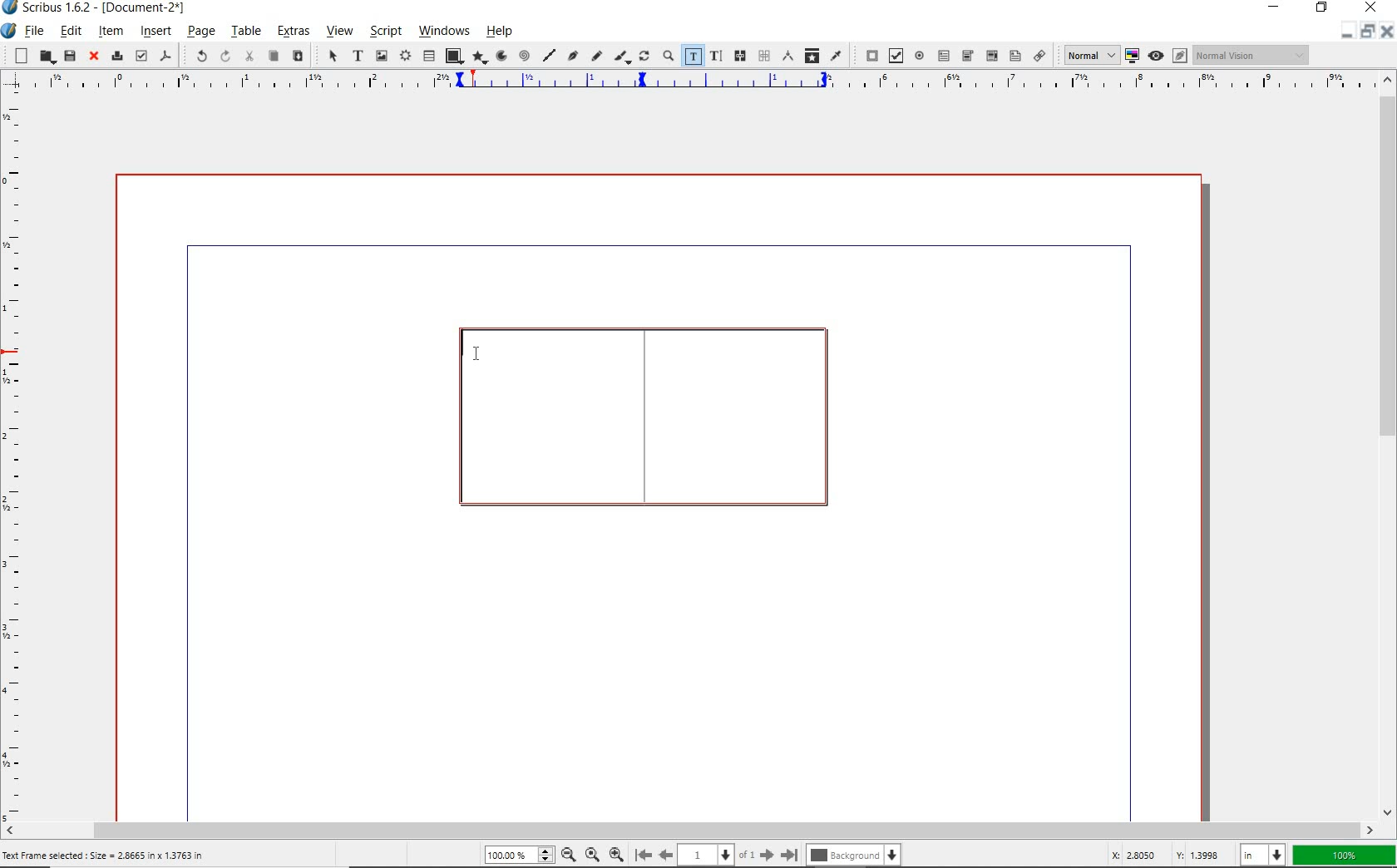 The width and height of the screenshot is (1397, 868). What do you see at coordinates (1261, 854) in the screenshot?
I see `select unit` at bounding box center [1261, 854].